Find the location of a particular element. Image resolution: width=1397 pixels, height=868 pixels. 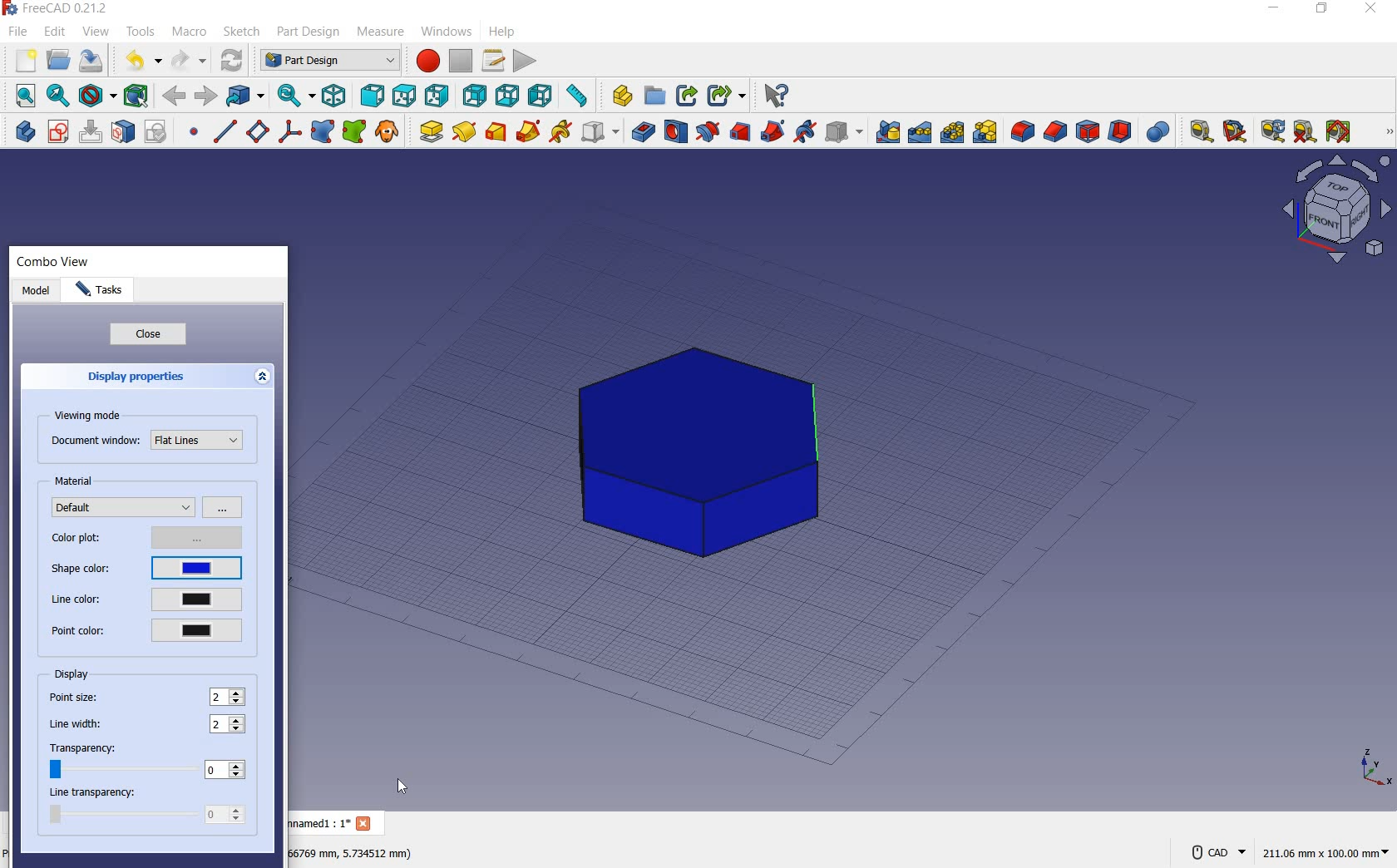

line width: 2 is located at coordinates (227, 723).